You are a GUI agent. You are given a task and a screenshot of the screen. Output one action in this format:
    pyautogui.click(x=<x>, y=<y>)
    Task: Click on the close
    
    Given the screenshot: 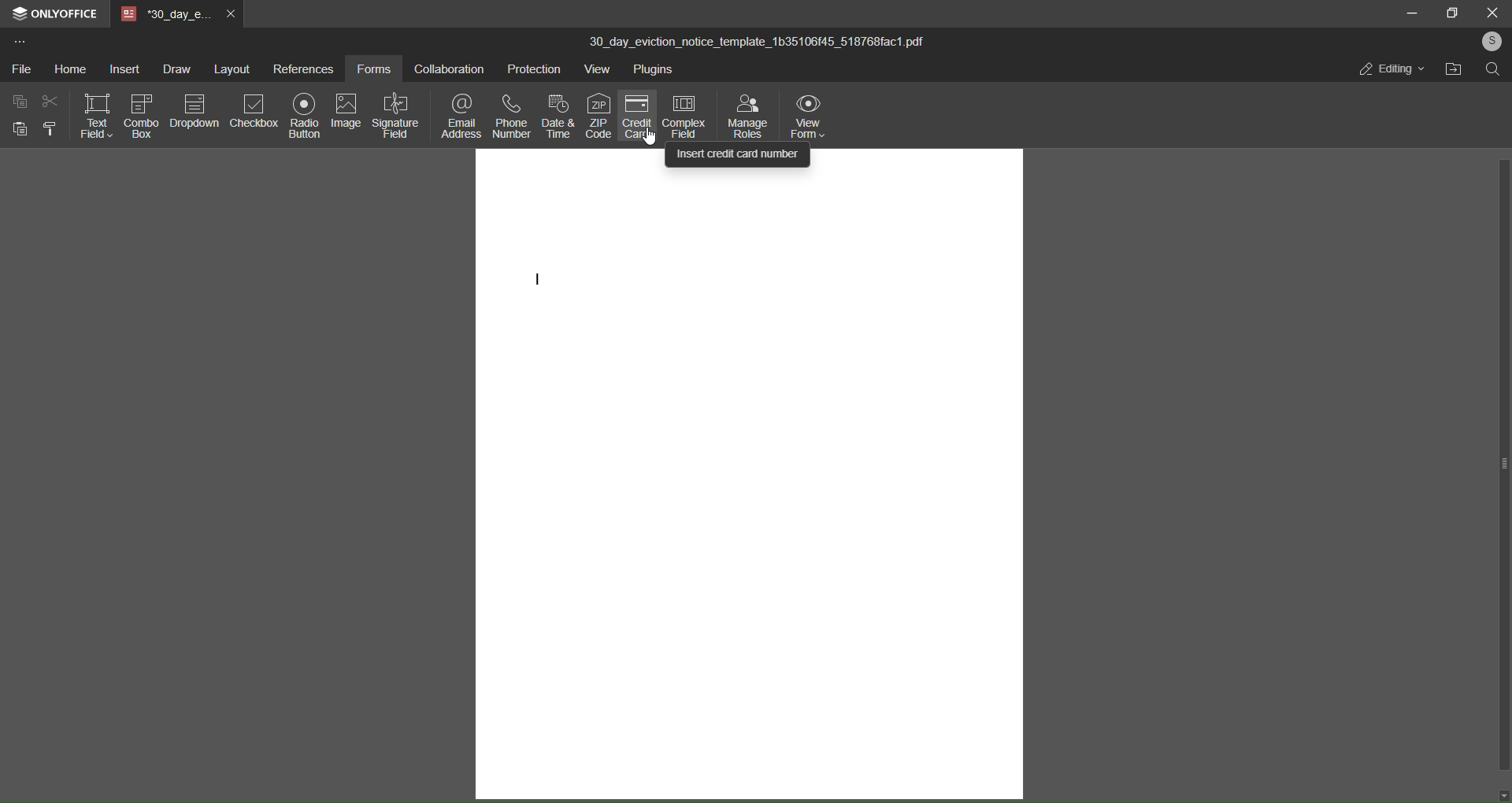 What is the action you would take?
    pyautogui.click(x=1490, y=12)
    